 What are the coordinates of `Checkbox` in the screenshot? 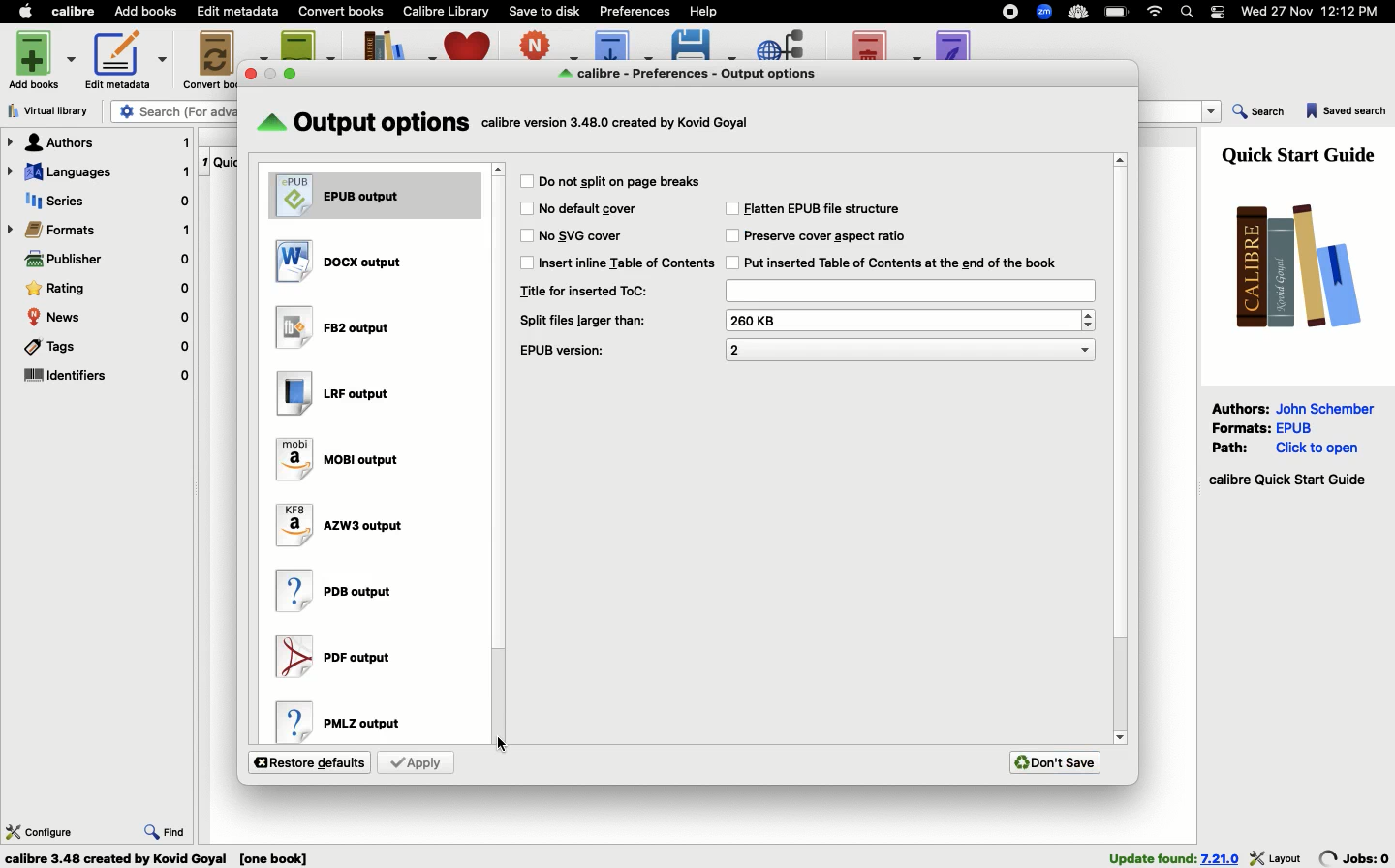 It's located at (528, 236).